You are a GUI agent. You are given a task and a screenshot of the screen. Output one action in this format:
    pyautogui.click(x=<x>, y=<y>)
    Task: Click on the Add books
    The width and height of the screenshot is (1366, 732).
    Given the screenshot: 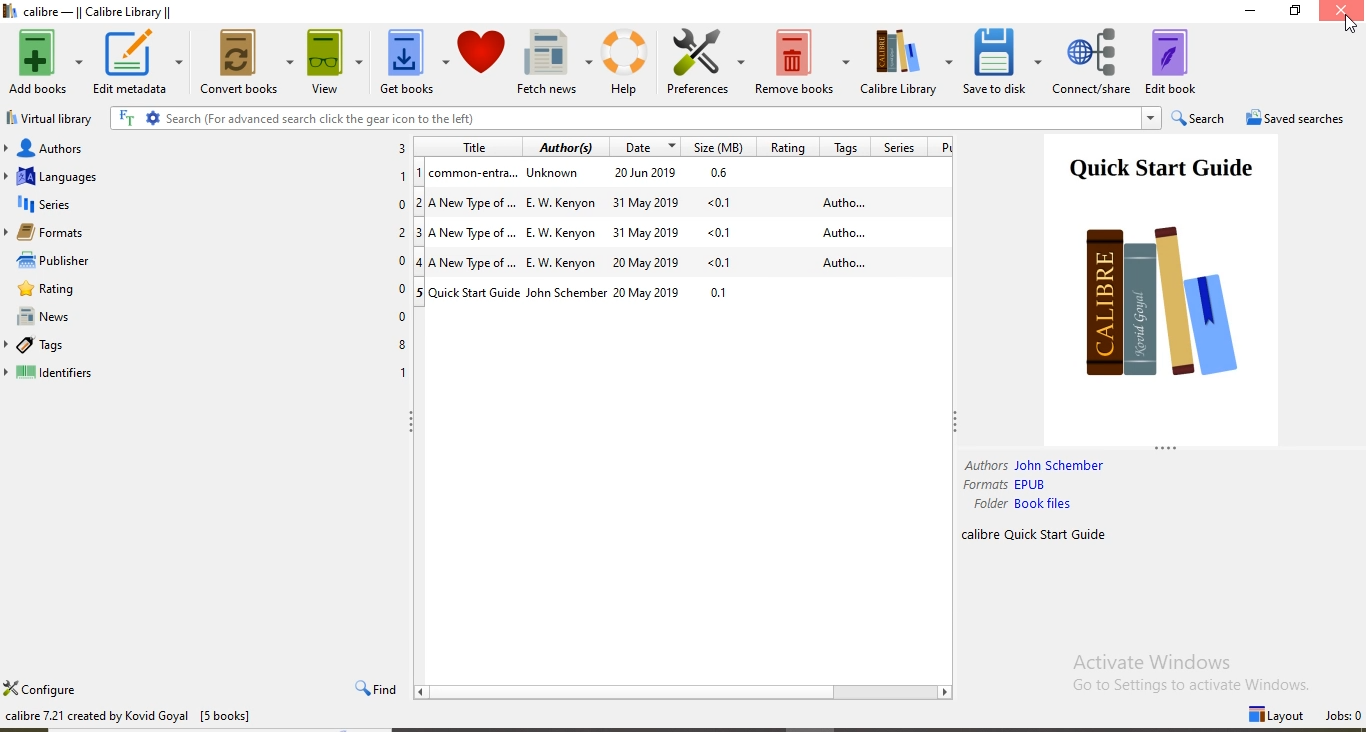 What is the action you would take?
    pyautogui.click(x=48, y=62)
    